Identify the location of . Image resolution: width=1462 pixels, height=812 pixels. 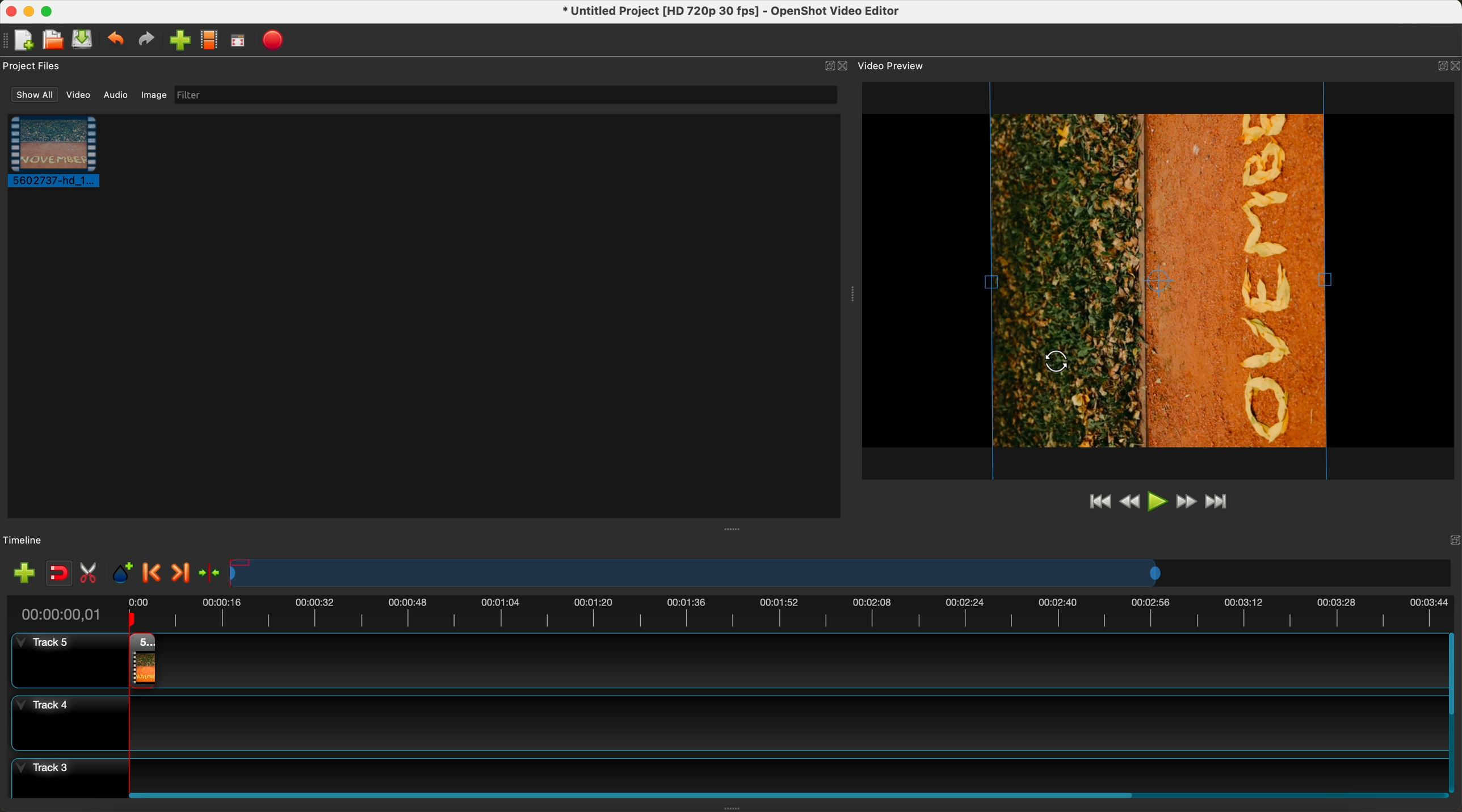
(1450, 540).